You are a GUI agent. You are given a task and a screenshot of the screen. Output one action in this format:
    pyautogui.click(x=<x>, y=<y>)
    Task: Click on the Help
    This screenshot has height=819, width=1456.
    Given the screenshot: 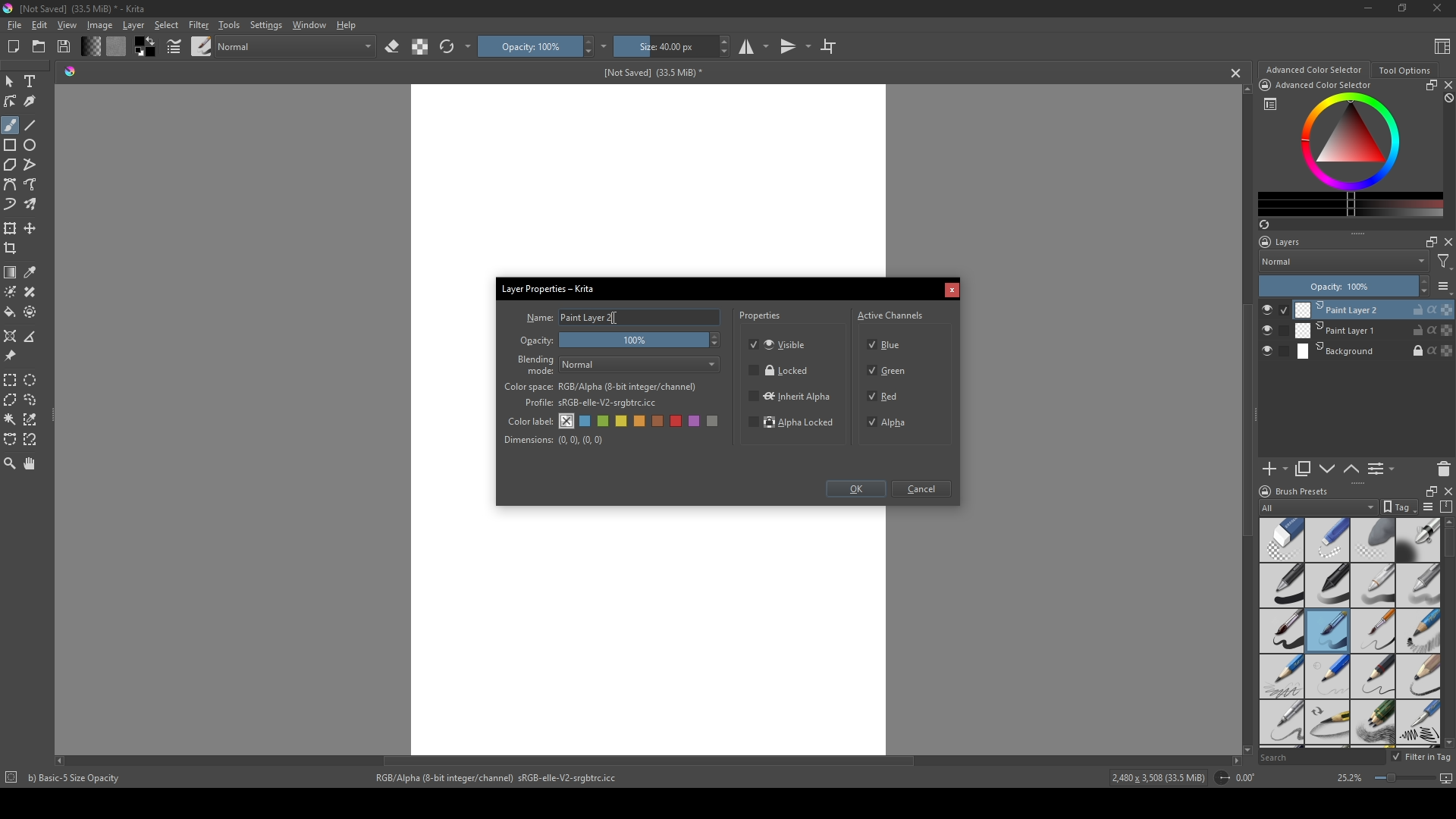 What is the action you would take?
    pyautogui.click(x=347, y=24)
    